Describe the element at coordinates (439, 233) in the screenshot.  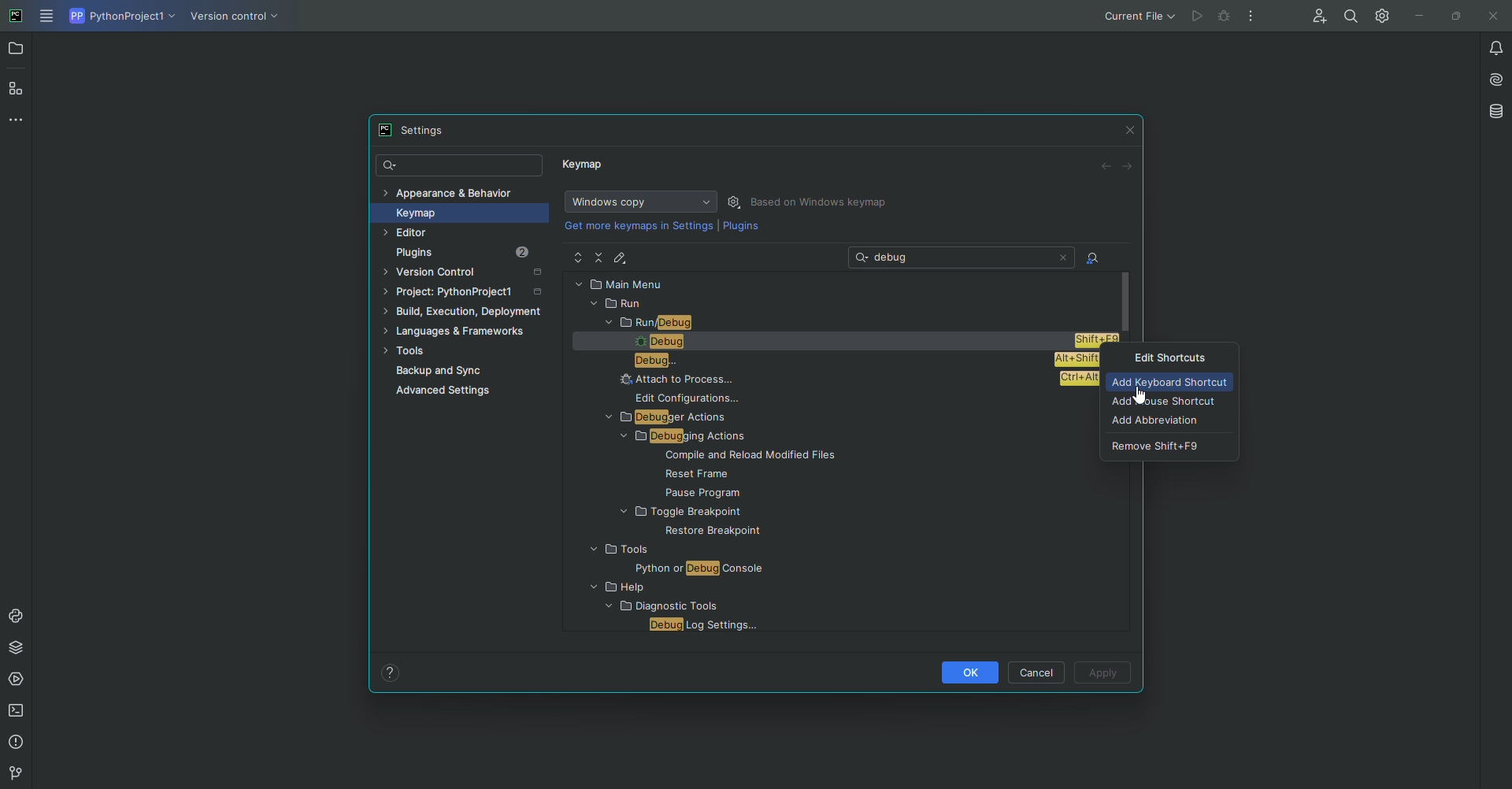
I see `Editor` at that location.